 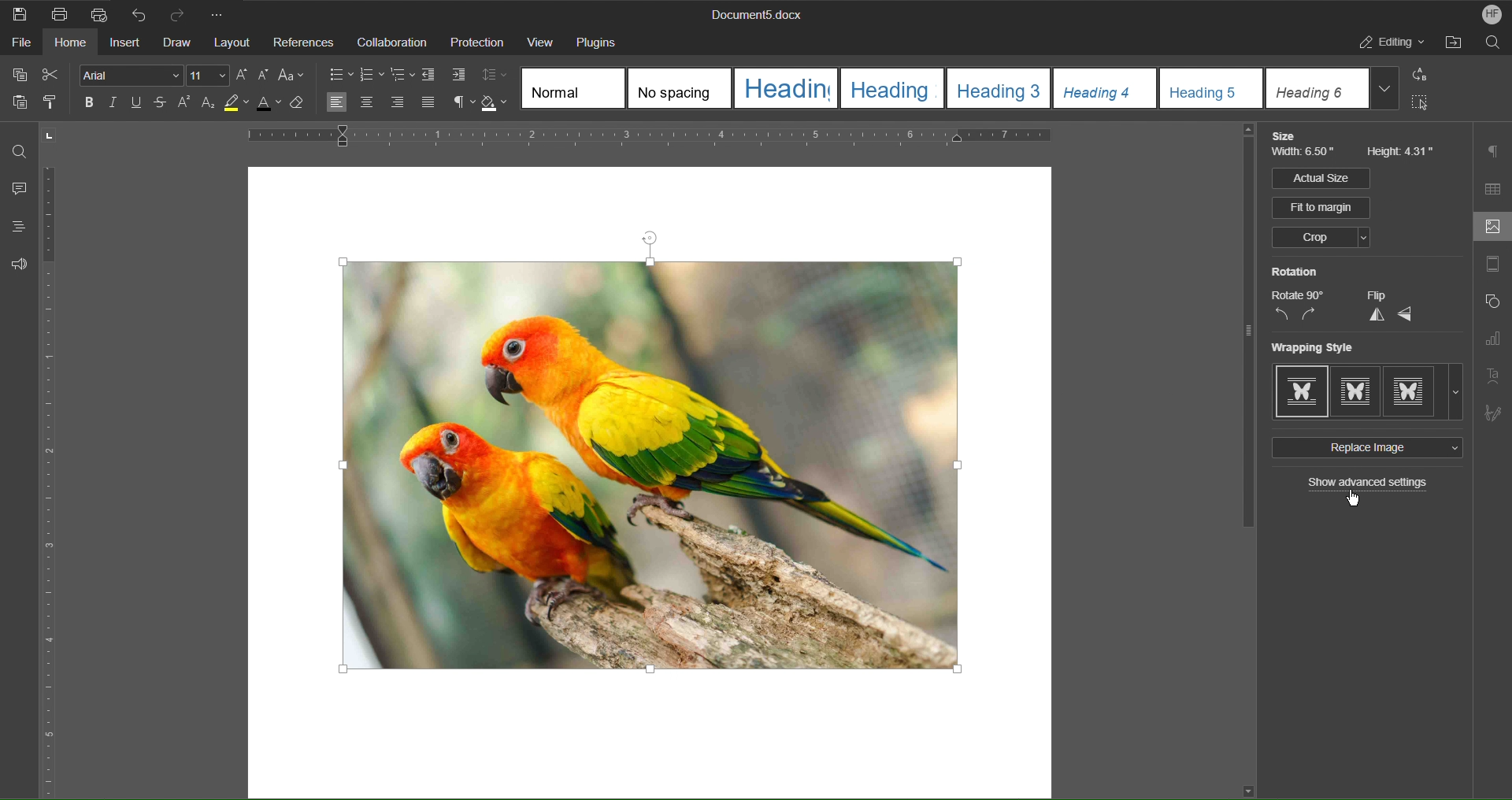 What do you see at coordinates (127, 44) in the screenshot?
I see `Insert` at bounding box center [127, 44].